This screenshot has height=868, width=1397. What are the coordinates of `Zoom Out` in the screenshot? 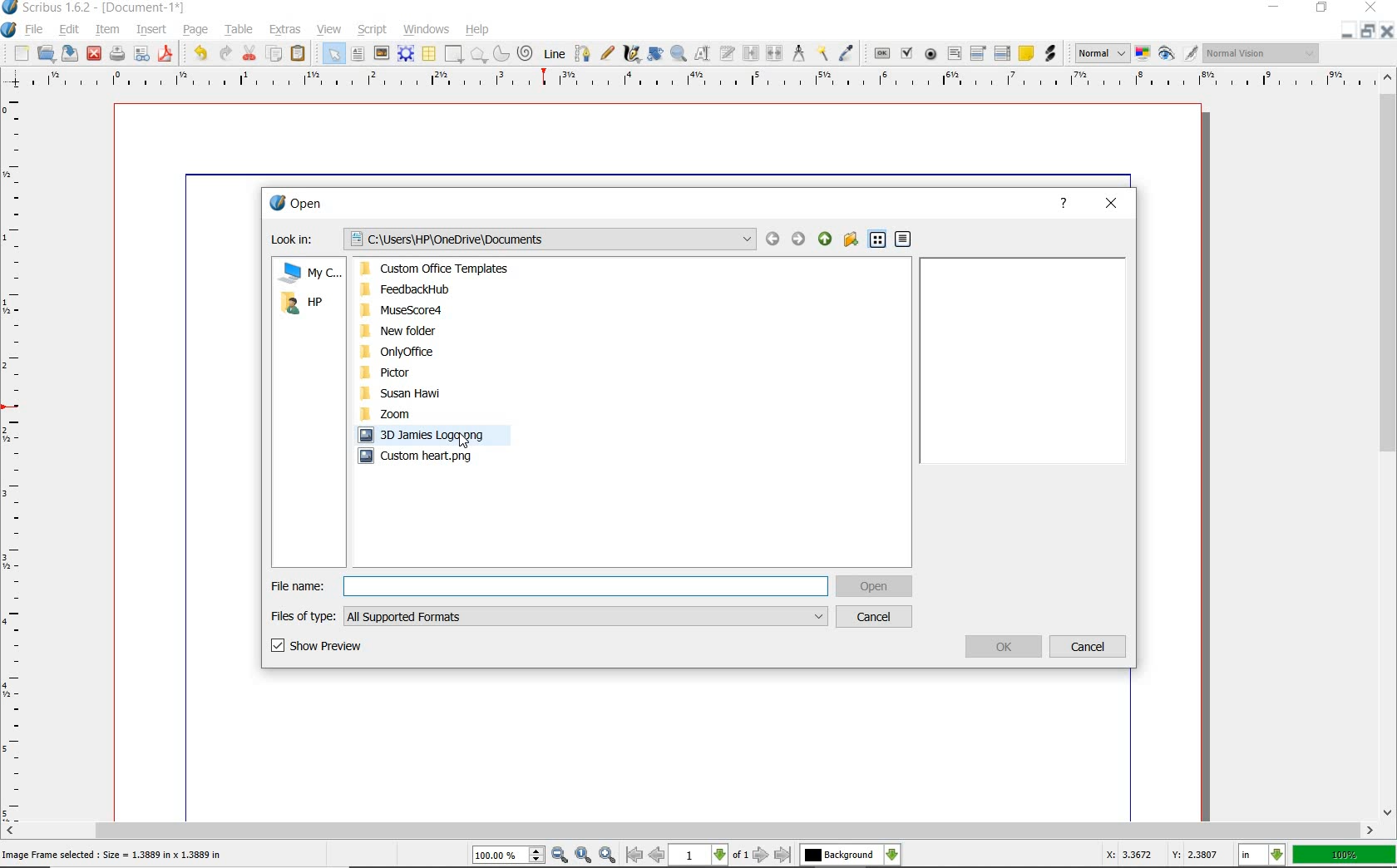 It's located at (560, 855).